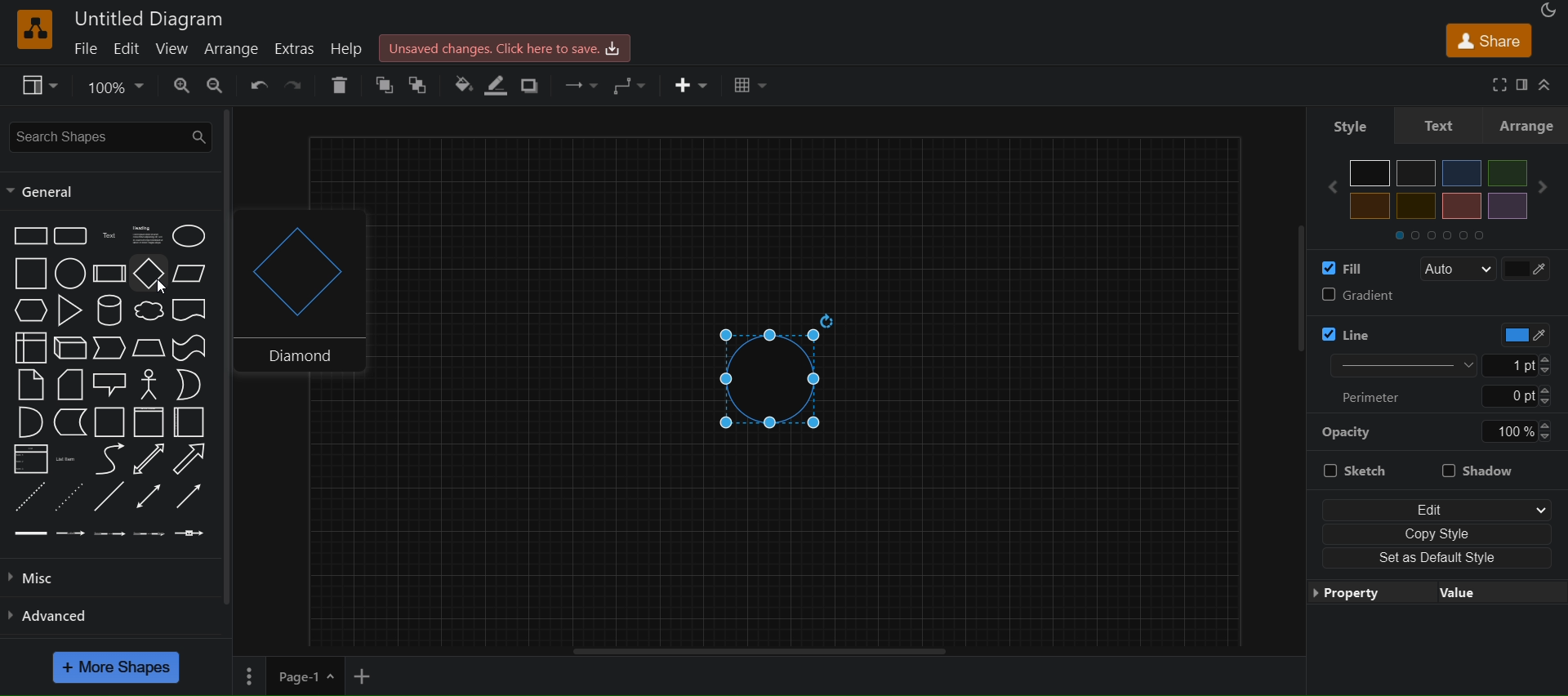  What do you see at coordinates (1417, 172) in the screenshot?
I see `grey color` at bounding box center [1417, 172].